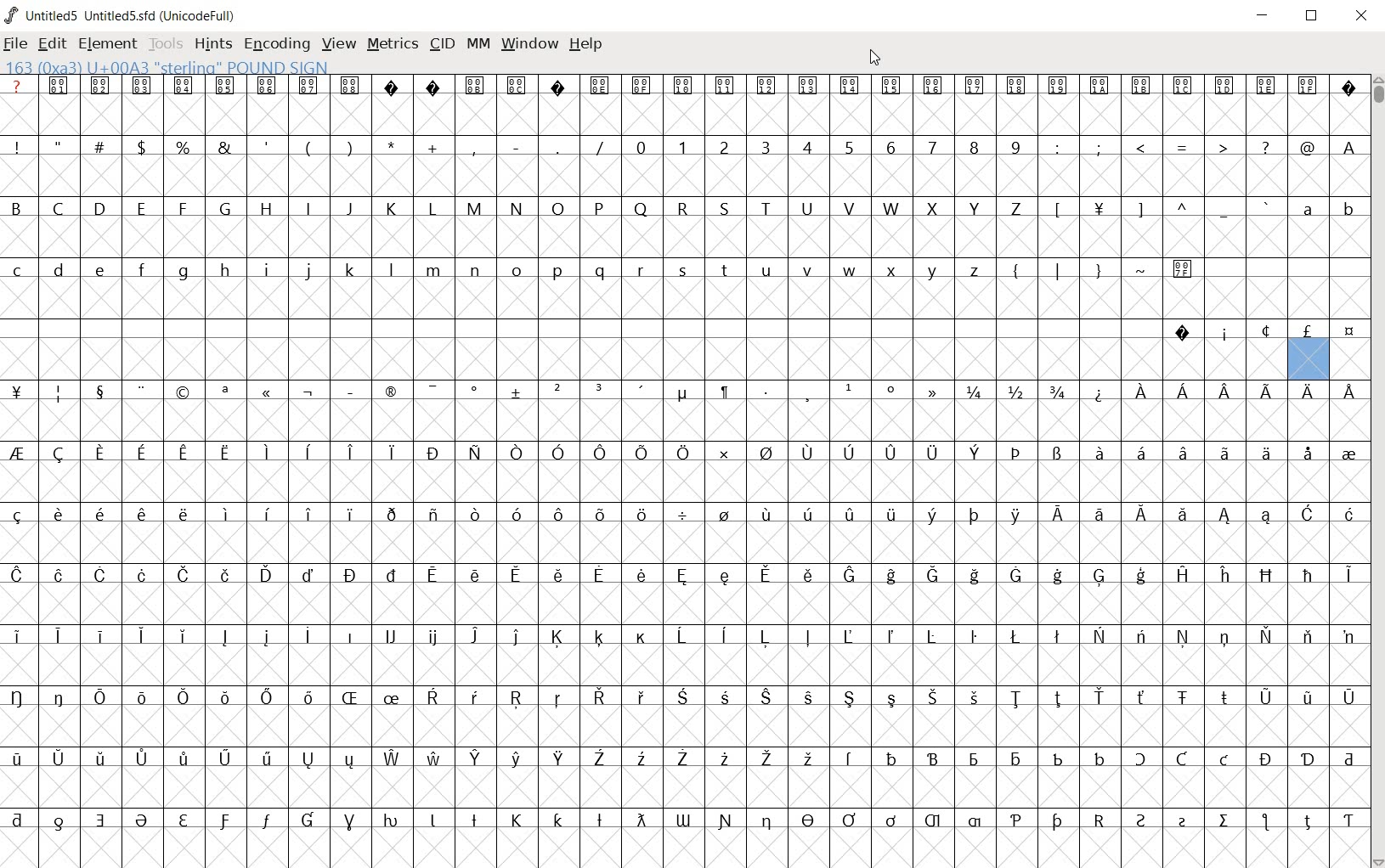  I want to click on Symbol, so click(726, 454).